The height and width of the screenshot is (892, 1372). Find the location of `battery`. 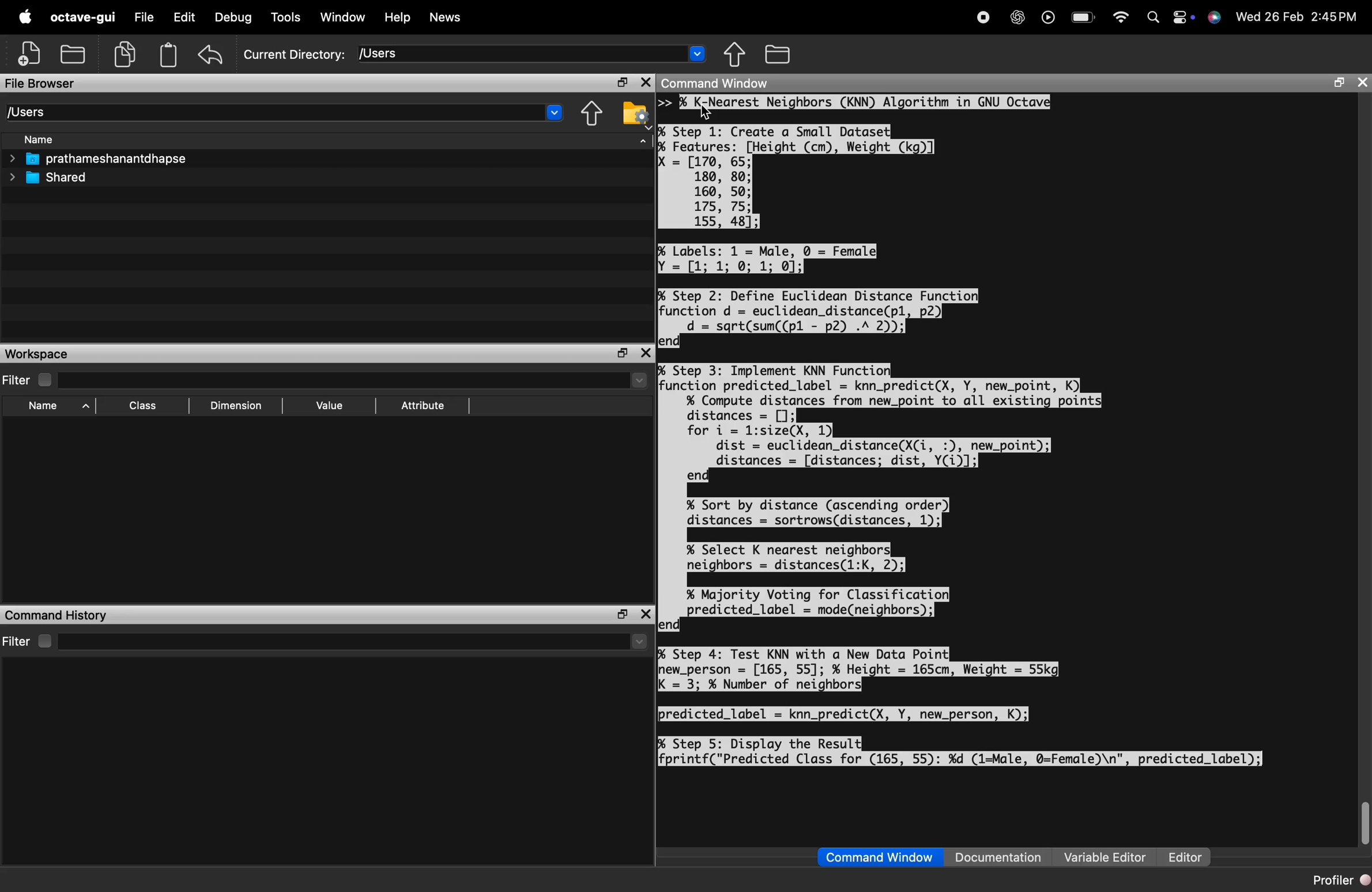

battery is located at coordinates (1081, 16).